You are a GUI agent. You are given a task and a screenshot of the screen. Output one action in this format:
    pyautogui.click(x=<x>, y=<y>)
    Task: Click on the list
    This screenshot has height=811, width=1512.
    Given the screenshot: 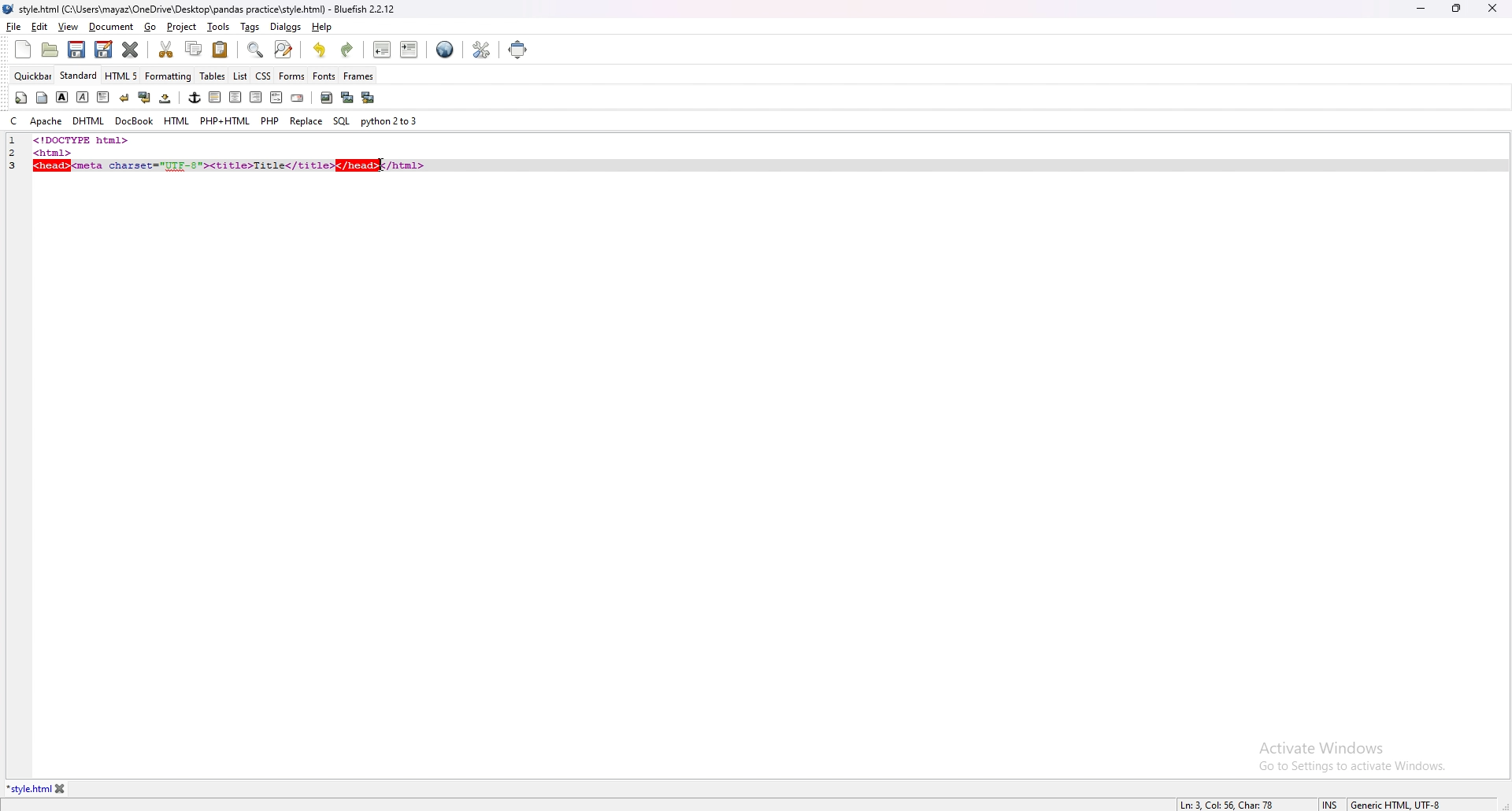 What is the action you would take?
    pyautogui.click(x=240, y=75)
    